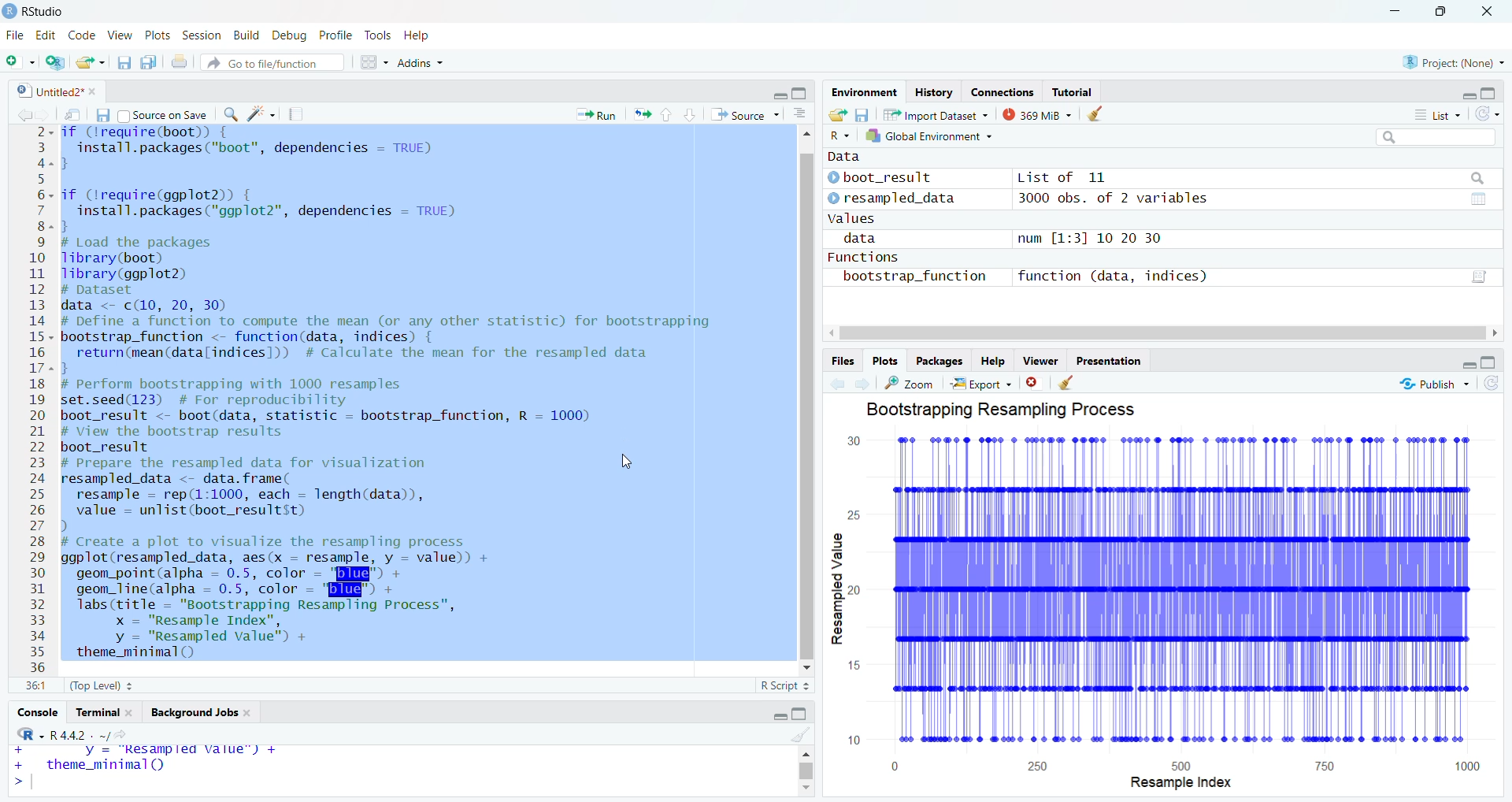 This screenshot has width=1512, height=802. Describe the element at coordinates (665, 116) in the screenshot. I see `go to previous section/chunk` at that location.